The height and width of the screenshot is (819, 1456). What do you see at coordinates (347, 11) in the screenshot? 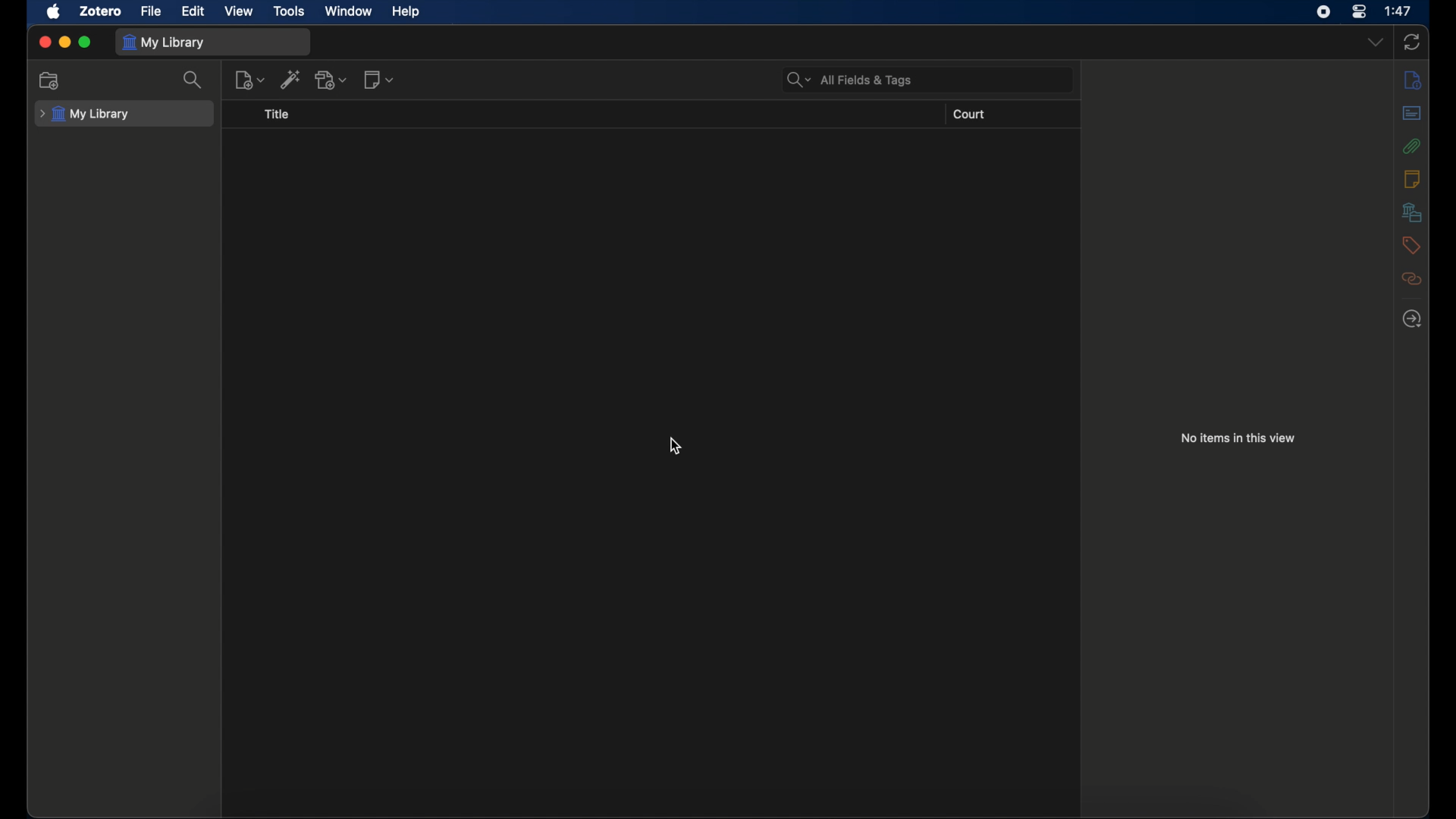
I see `window` at bounding box center [347, 11].